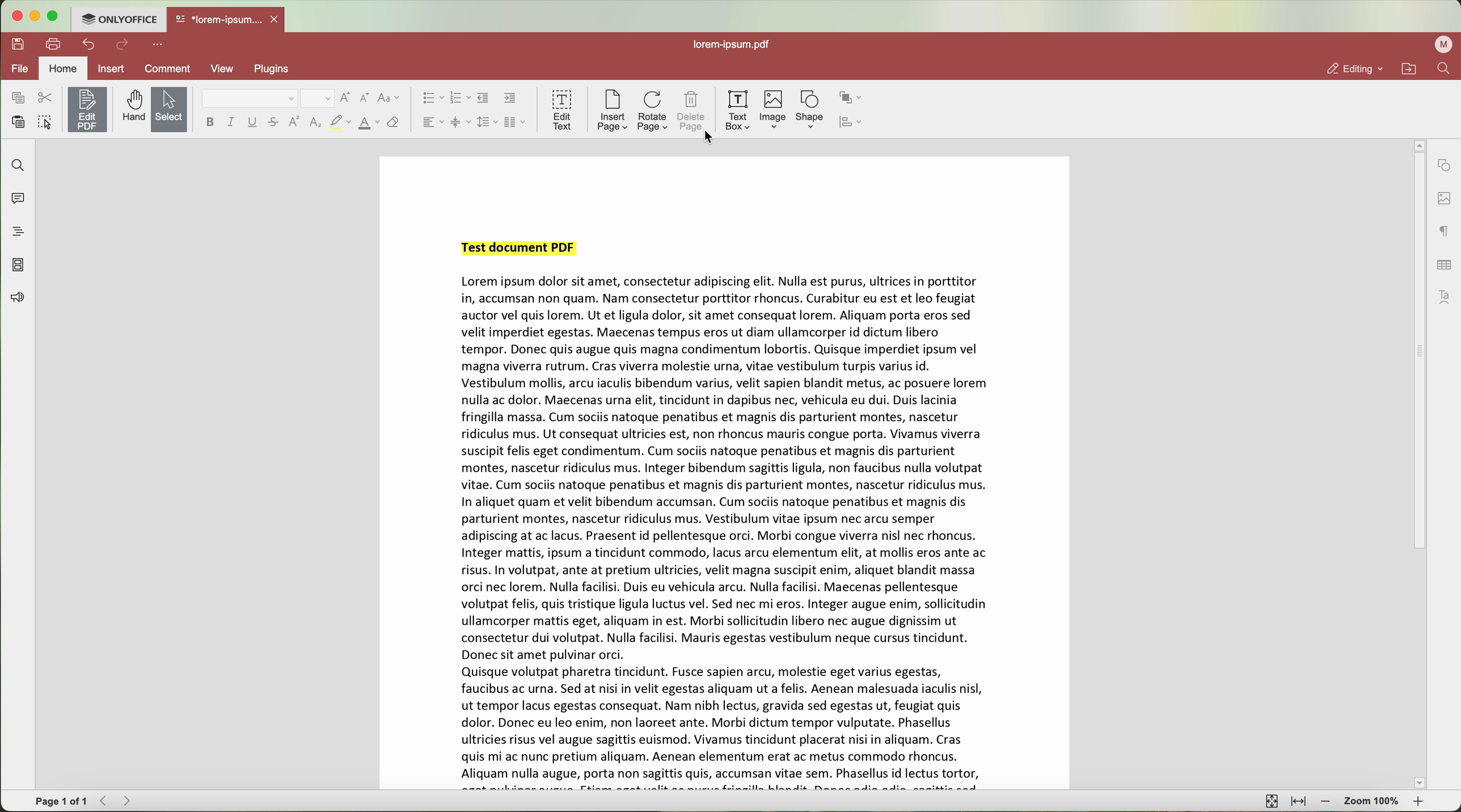  Describe the element at coordinates (1353, 69) in the screenshot. I see `editing` at that location.